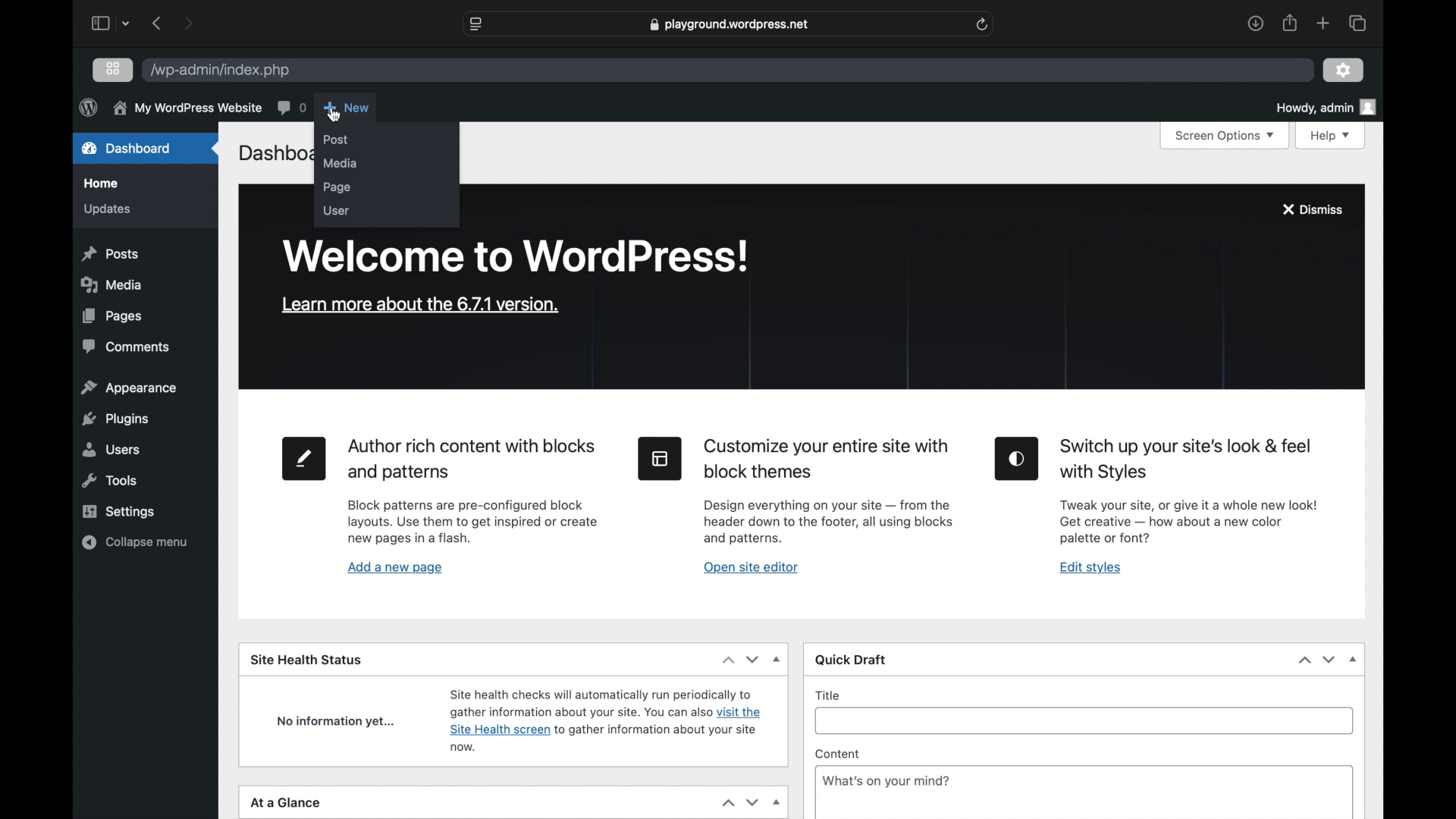 This screenshot has width=1456, height=819. What do you see at coordinates (335, 722) in the screenshot?
I see `no information yet` at bounding box center [335, 722].